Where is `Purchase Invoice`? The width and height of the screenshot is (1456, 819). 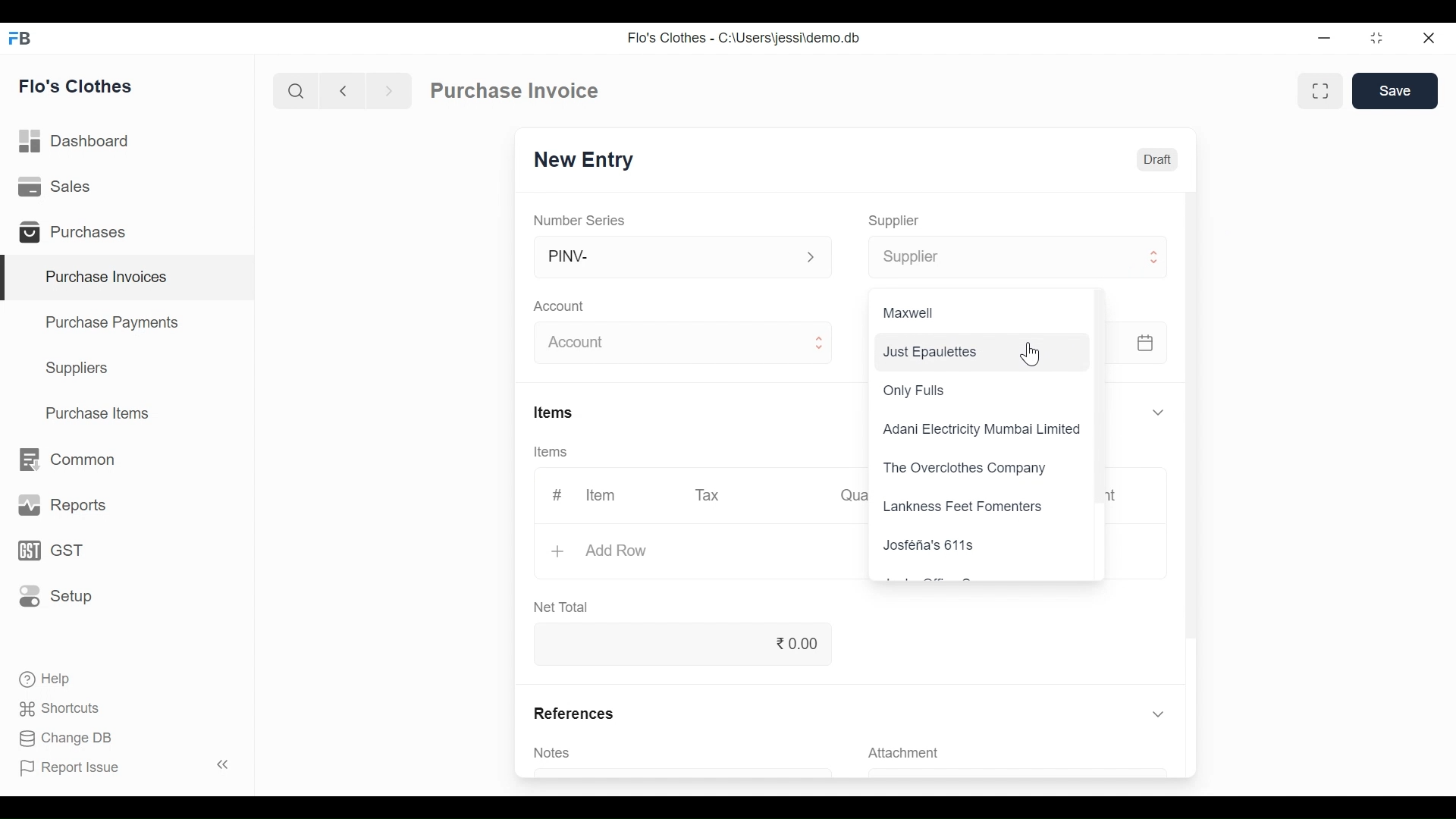
Purchase Invoice is located at coordinates (514, 90).